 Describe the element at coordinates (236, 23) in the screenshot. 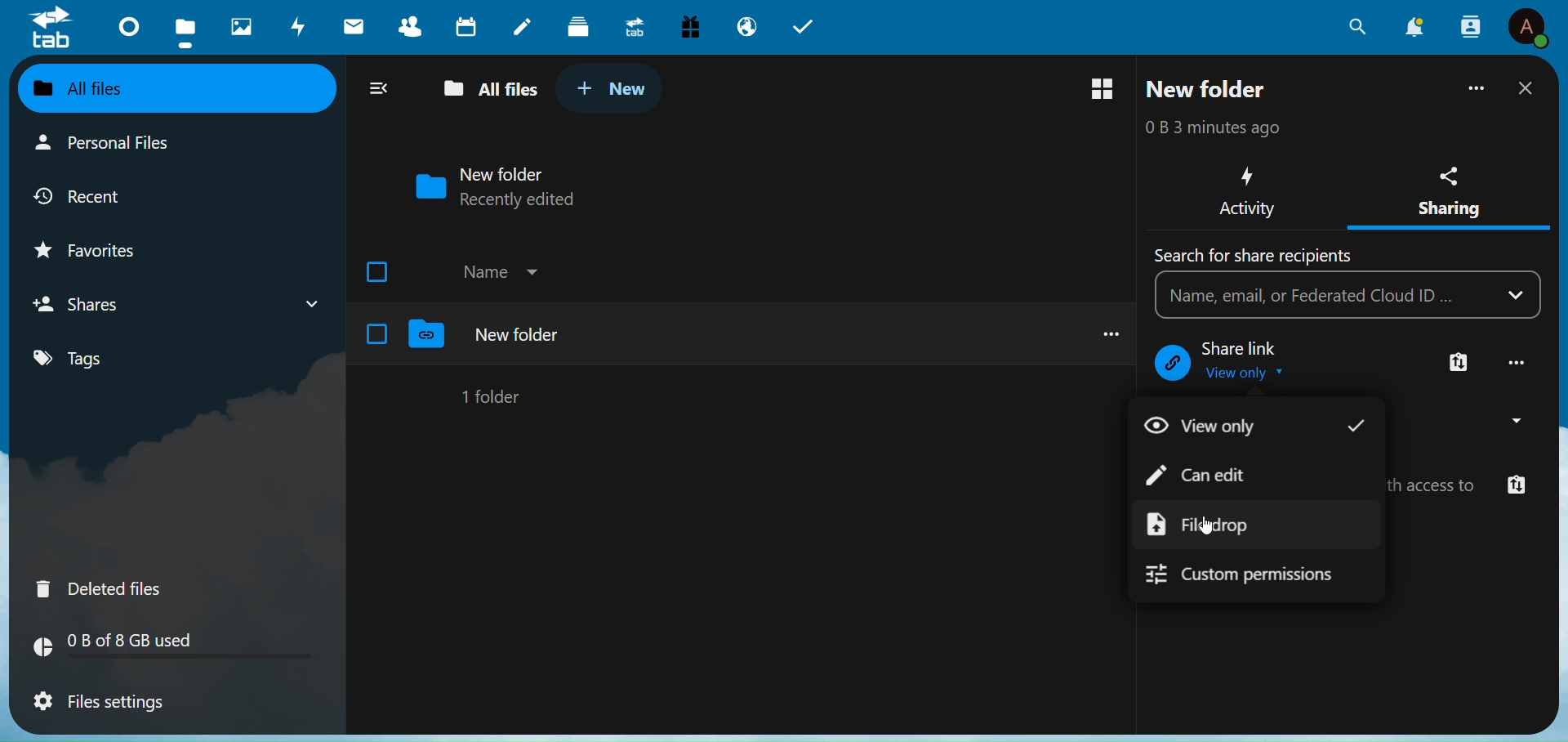

I see `Photos` at that location.